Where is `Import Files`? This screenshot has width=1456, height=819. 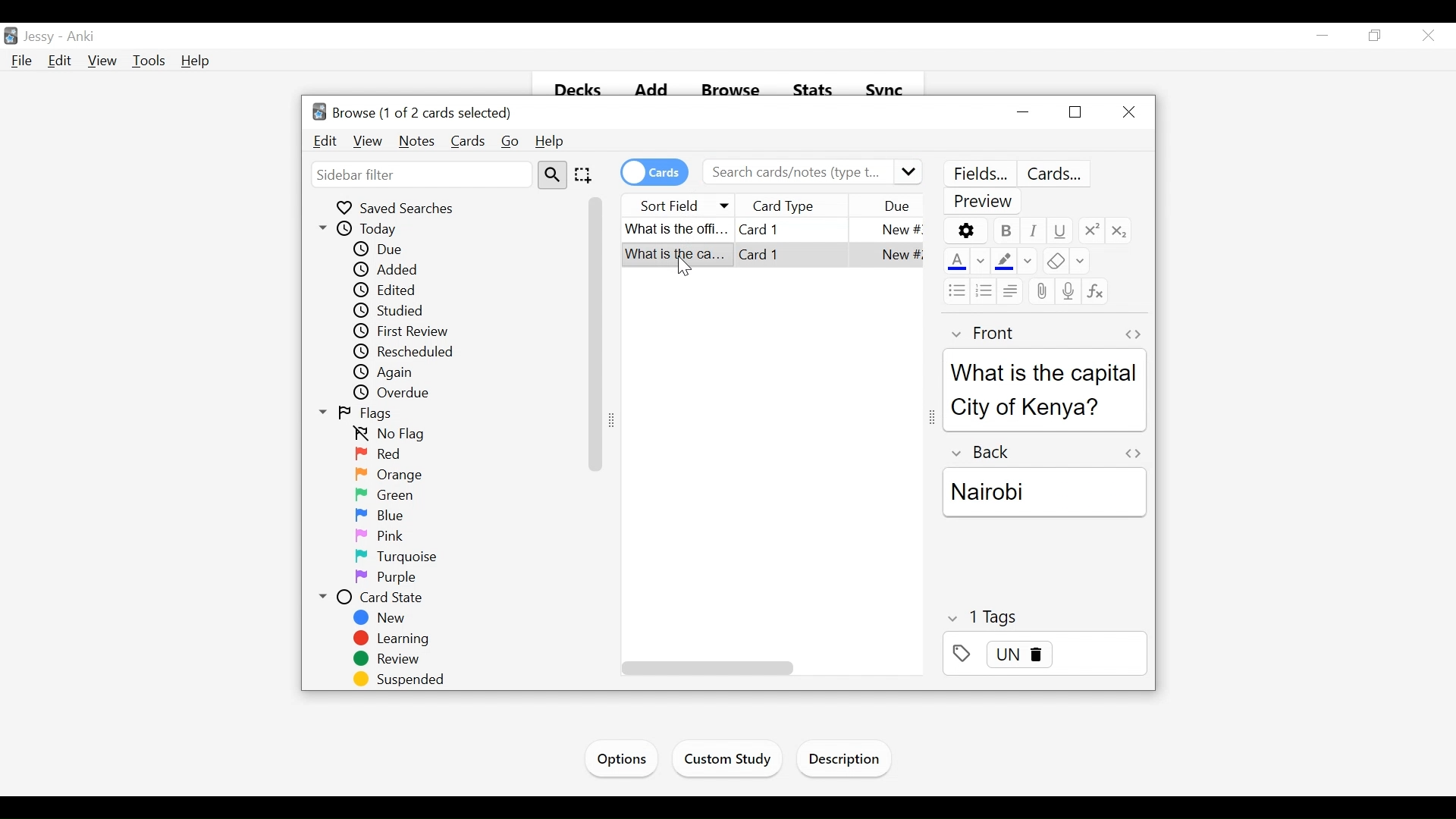
Import Files is located at coordinates (848, 761).